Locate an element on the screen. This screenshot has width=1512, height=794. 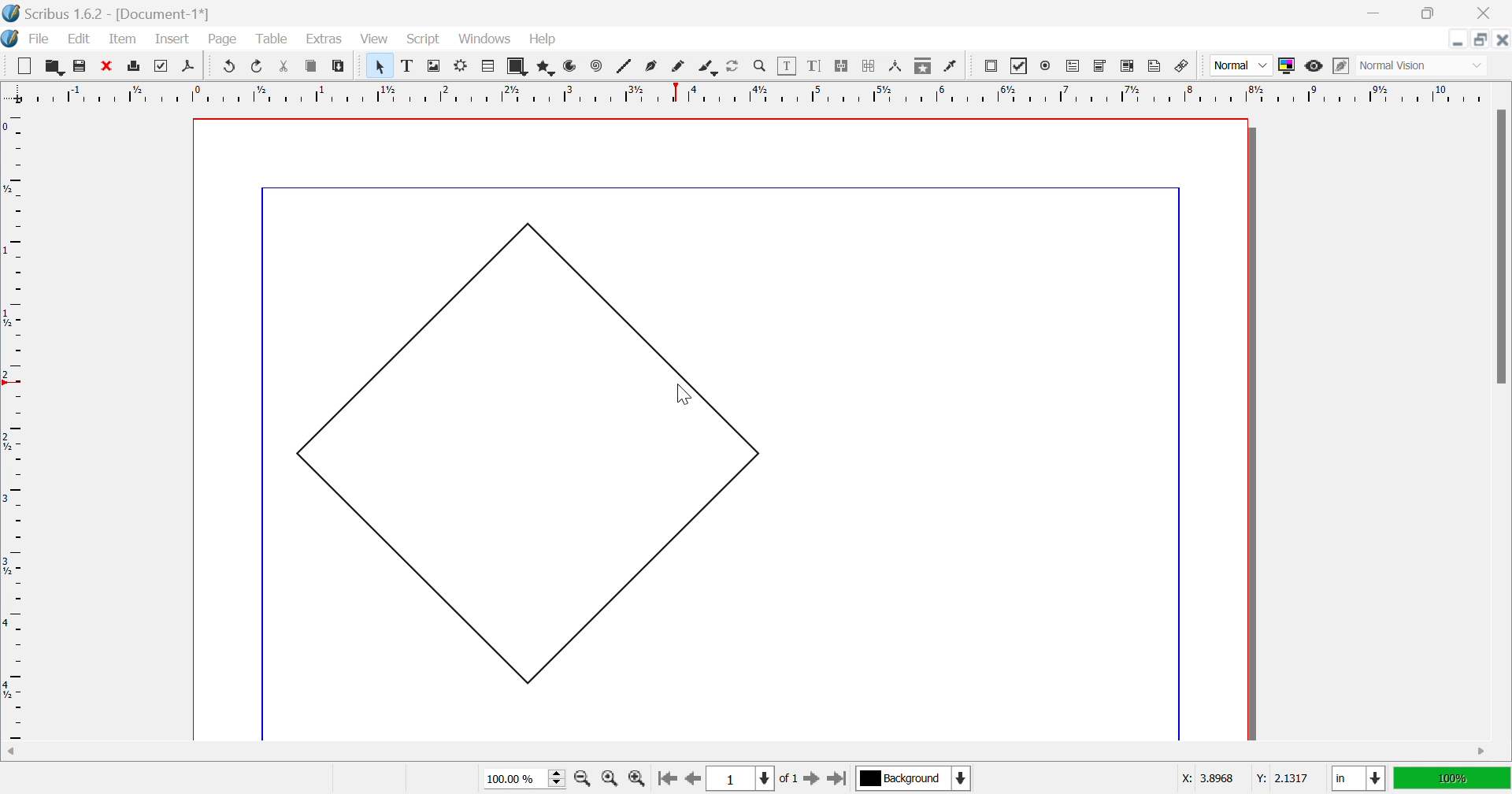
Text annotation is located at coordinates (1154, 66).